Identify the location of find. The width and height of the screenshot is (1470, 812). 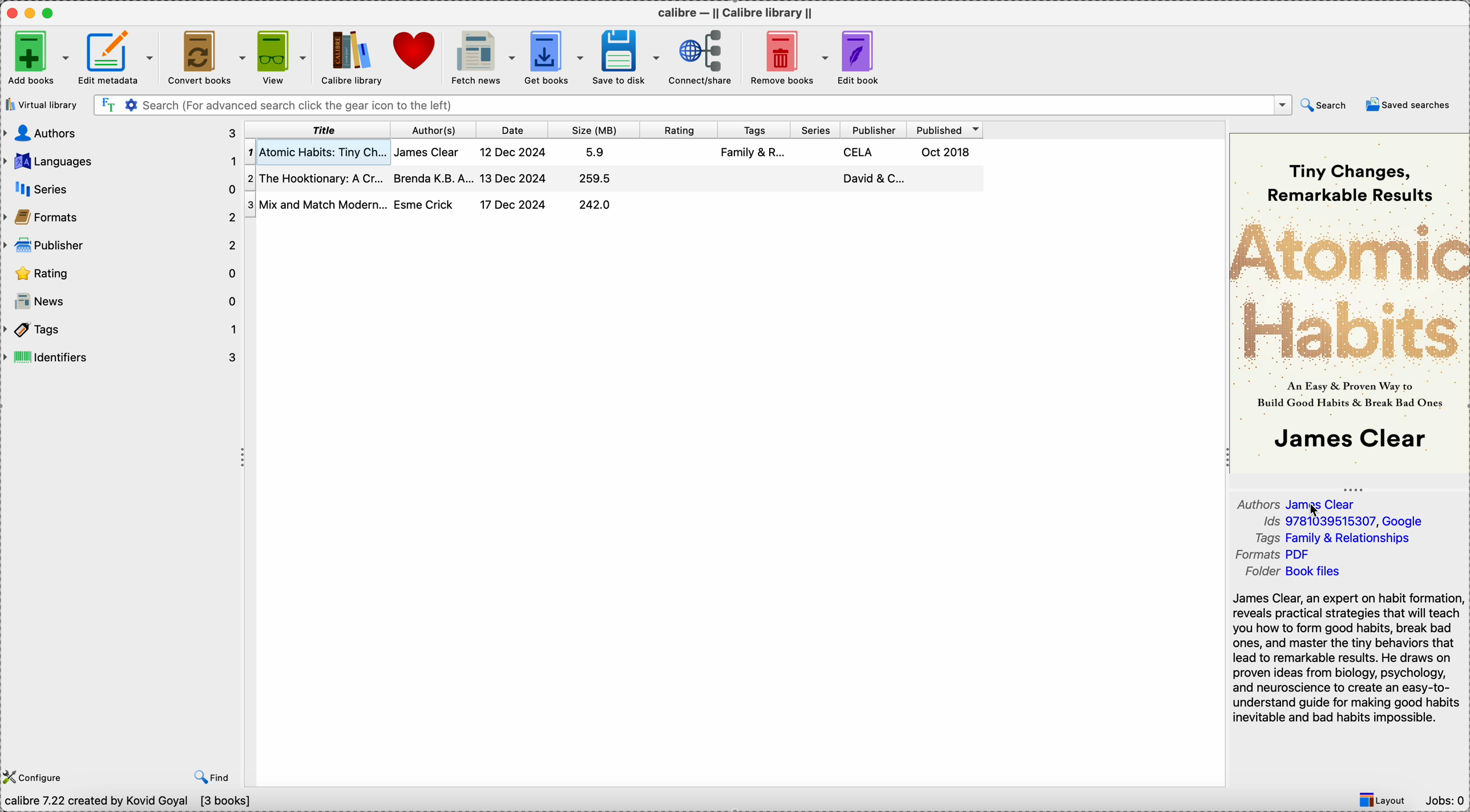
(211, 777).